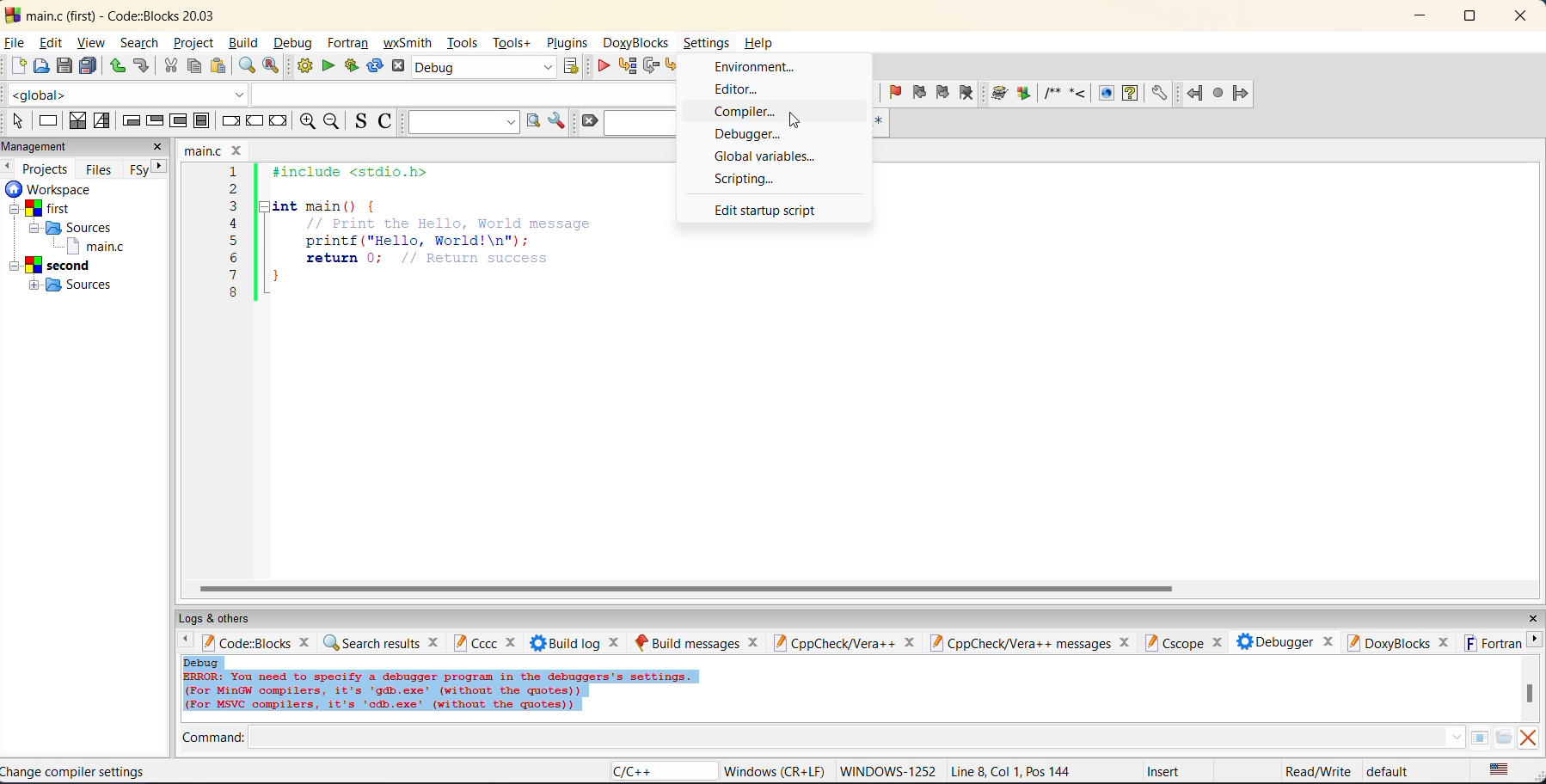  Describe the element at coordinates (1492, 644) in the screenshot. I see `fortran` at that location.